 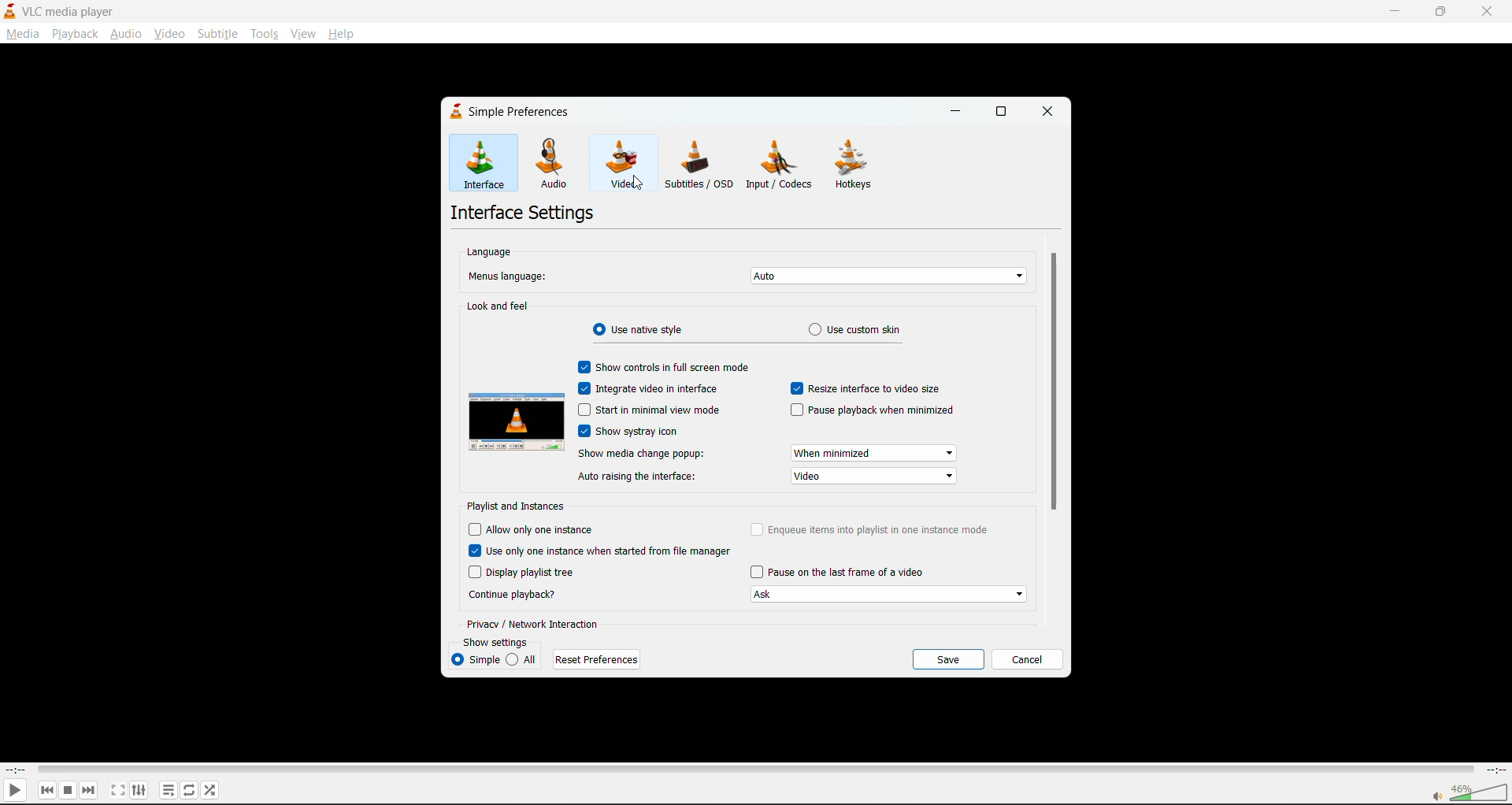 What do you see at coordinates (623, 165) in the screenshot?
I see `video` at bounding box center [623, 165].